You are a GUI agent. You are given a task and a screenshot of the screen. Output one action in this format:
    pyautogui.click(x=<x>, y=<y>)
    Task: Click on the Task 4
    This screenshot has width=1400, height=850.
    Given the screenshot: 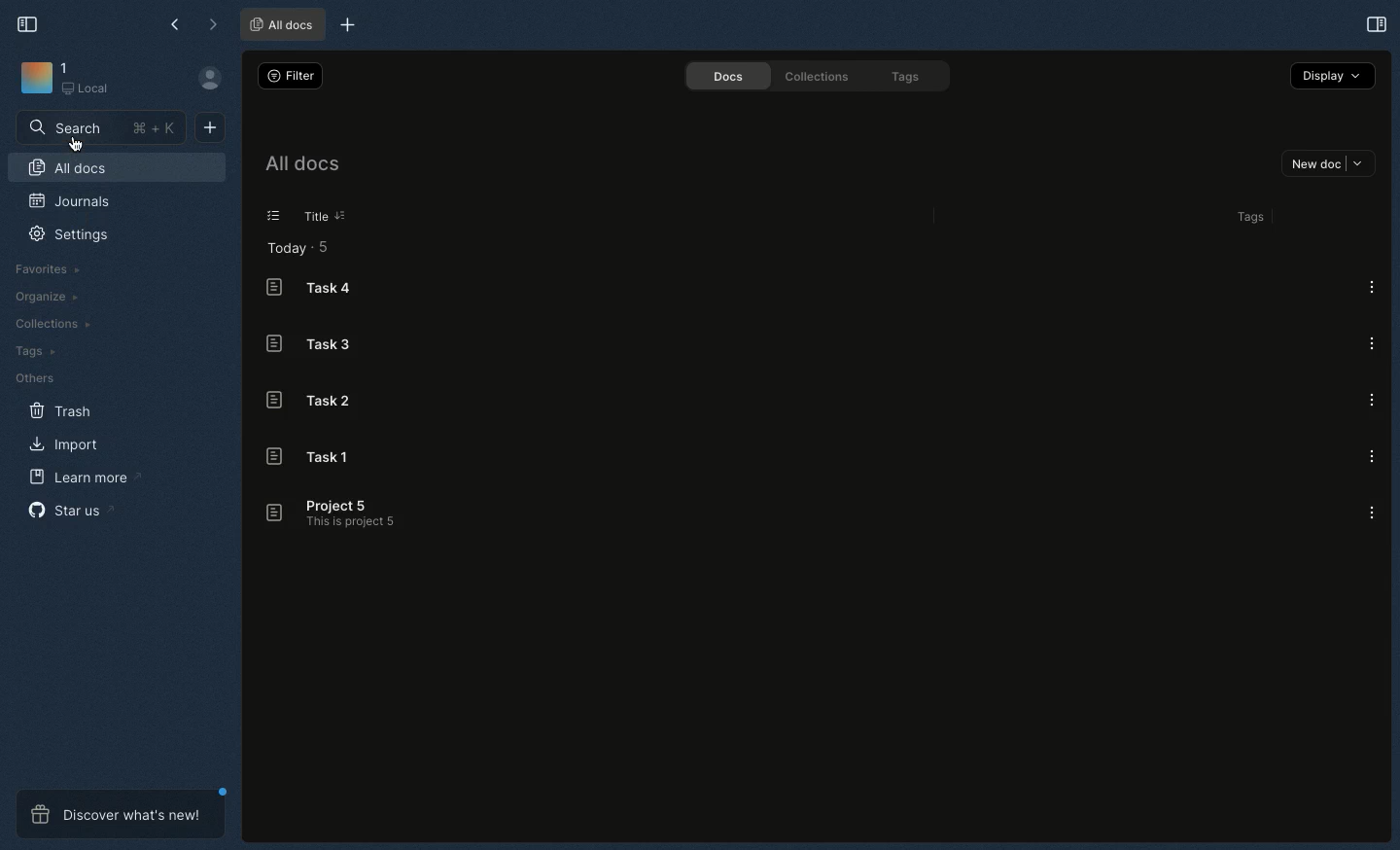 What is the action you would take?
    pyautogui.click(x=308, y=289)
    